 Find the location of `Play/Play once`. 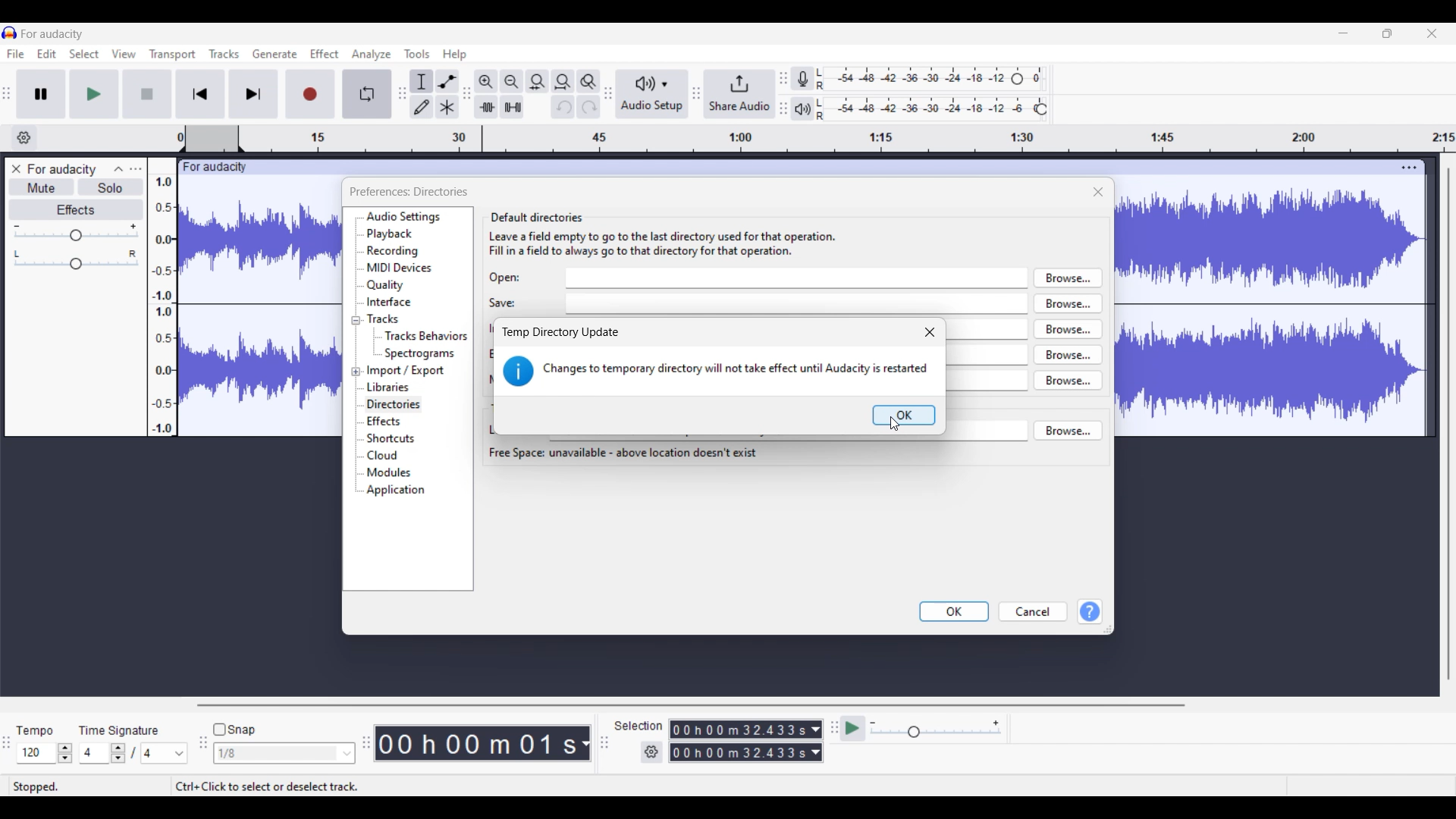

Play/Play once is located at coordinates (95, 94).